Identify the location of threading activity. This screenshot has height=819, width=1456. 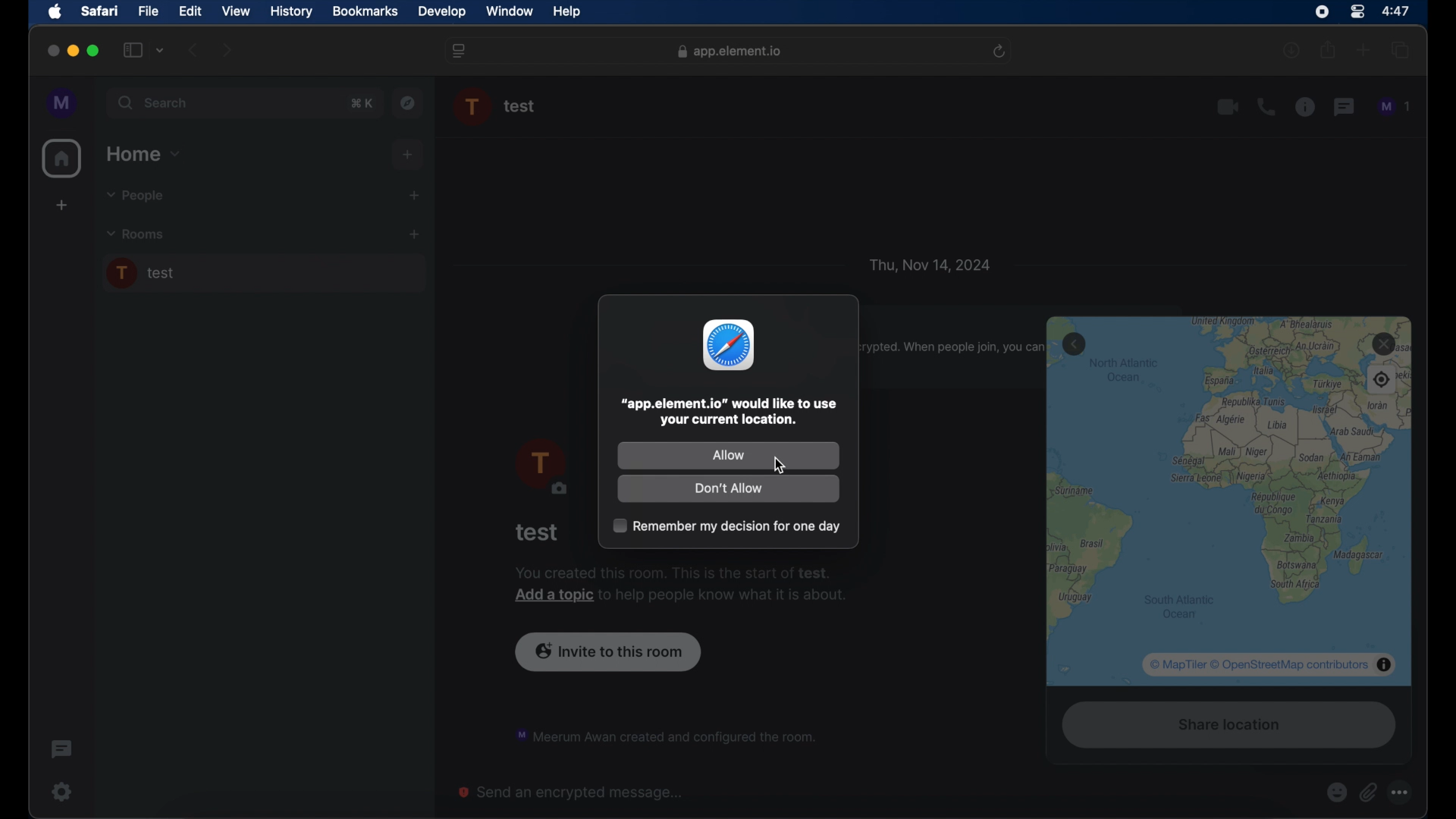
(61, 749).